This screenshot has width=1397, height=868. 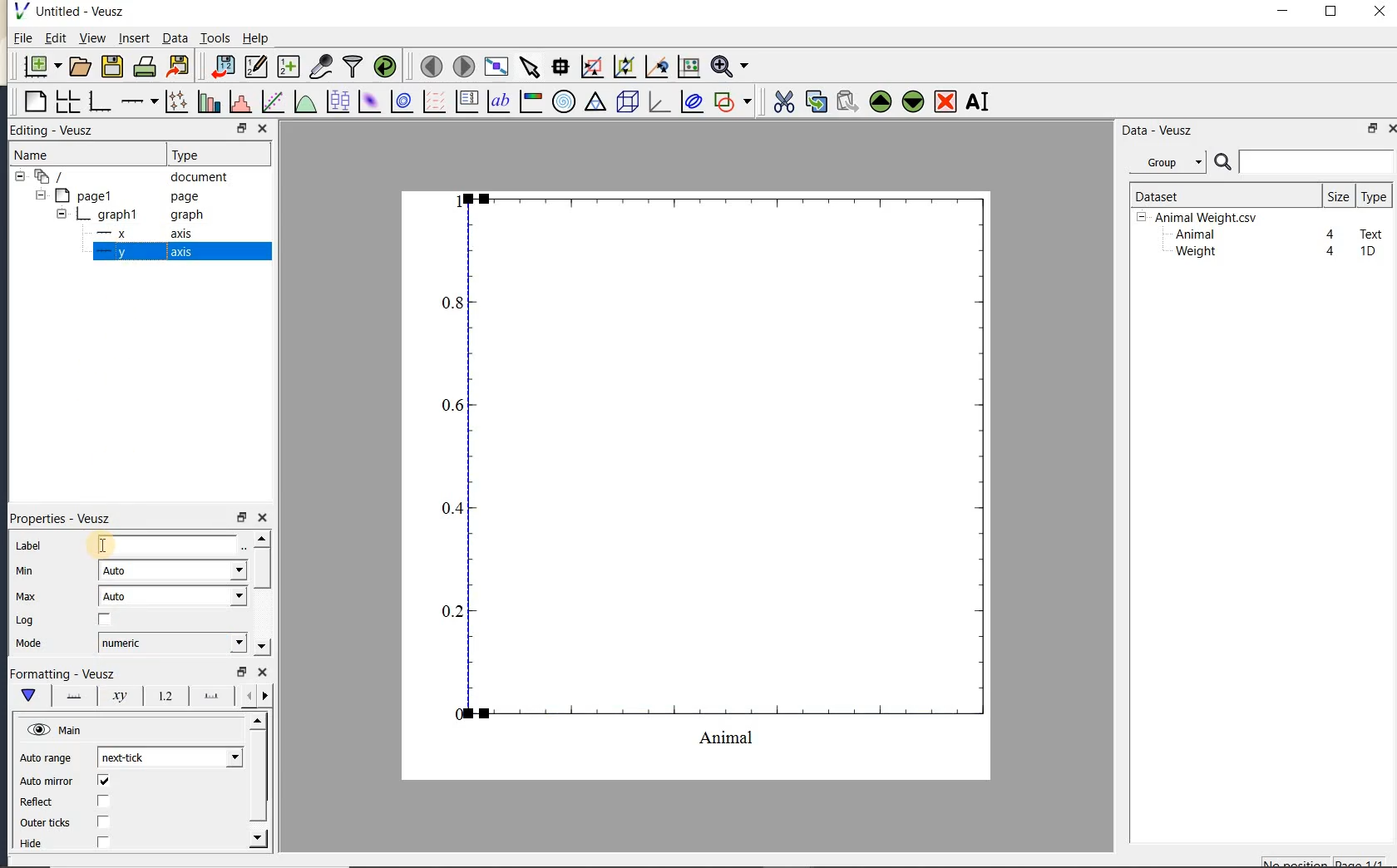 I want to click on zoom function menus, so click(x=729, y=67).